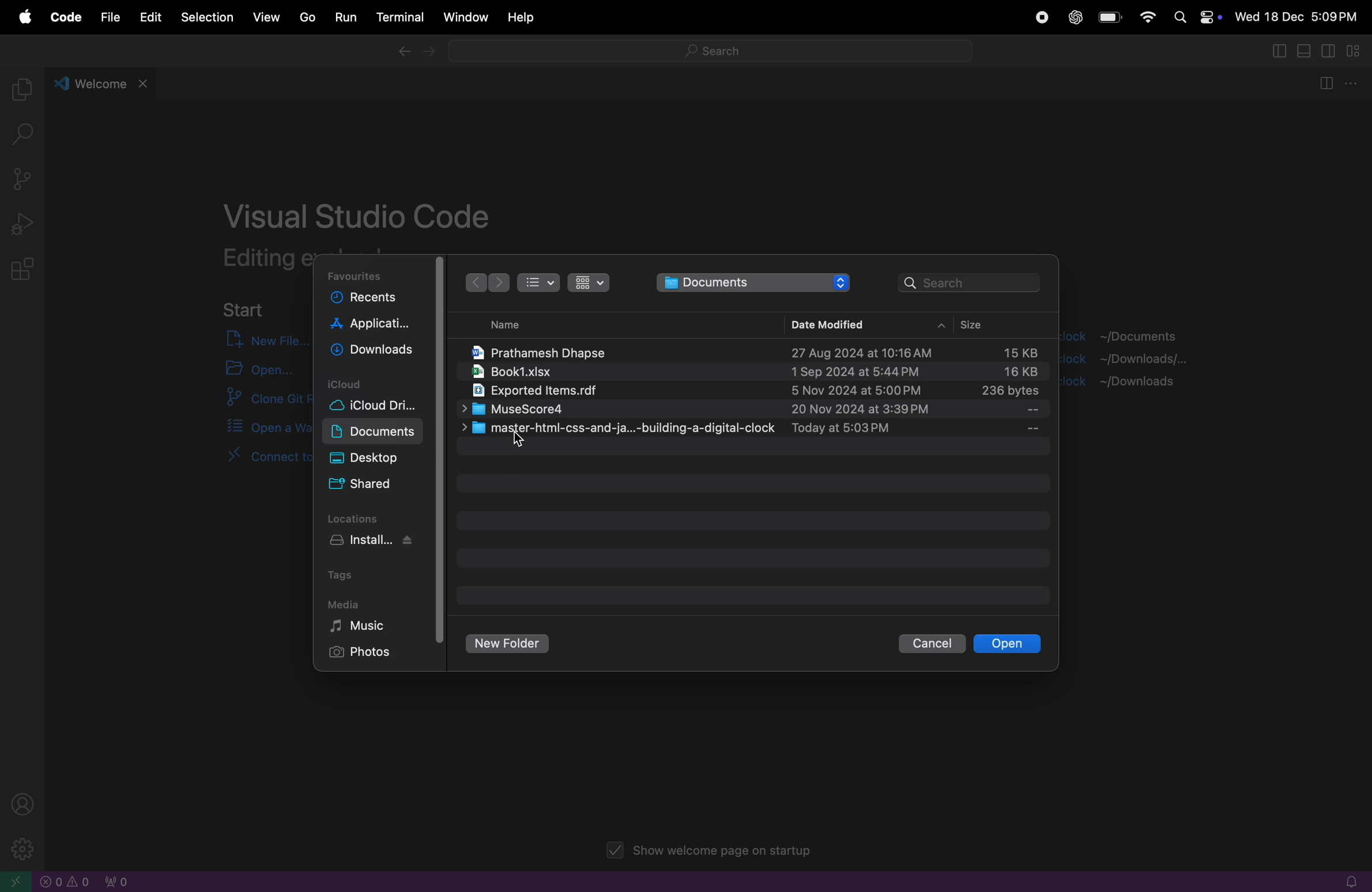 The image size is (1372, 892). I want to click on documents, so click(754, 282).